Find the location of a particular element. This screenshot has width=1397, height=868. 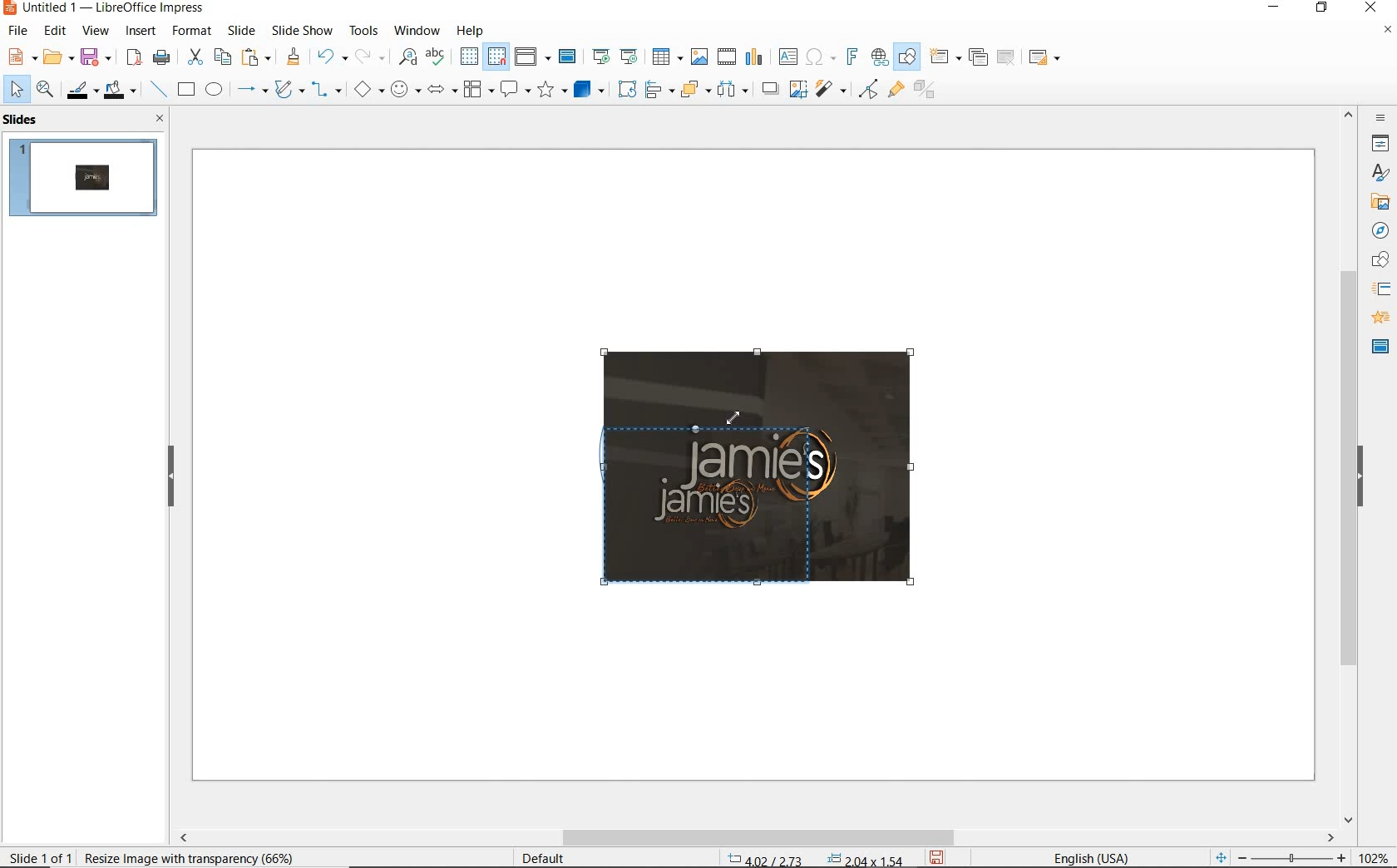

toggle extrusion is located at coordinates (929, 91).